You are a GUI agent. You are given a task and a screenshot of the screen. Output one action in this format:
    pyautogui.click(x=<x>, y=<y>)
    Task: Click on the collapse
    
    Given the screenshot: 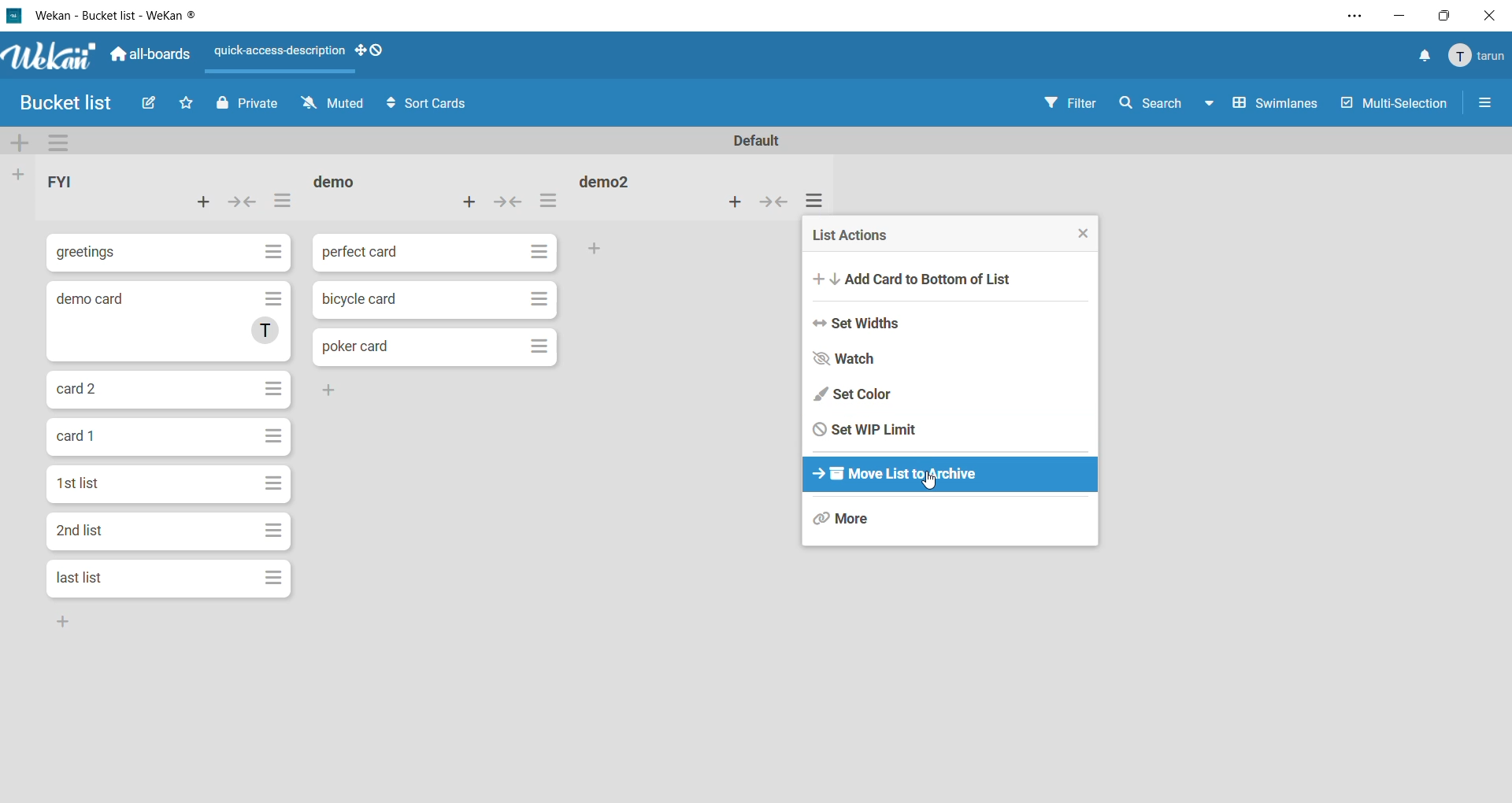 What is the action you would take?
    pyautogui.click(x=243, y=202)
    